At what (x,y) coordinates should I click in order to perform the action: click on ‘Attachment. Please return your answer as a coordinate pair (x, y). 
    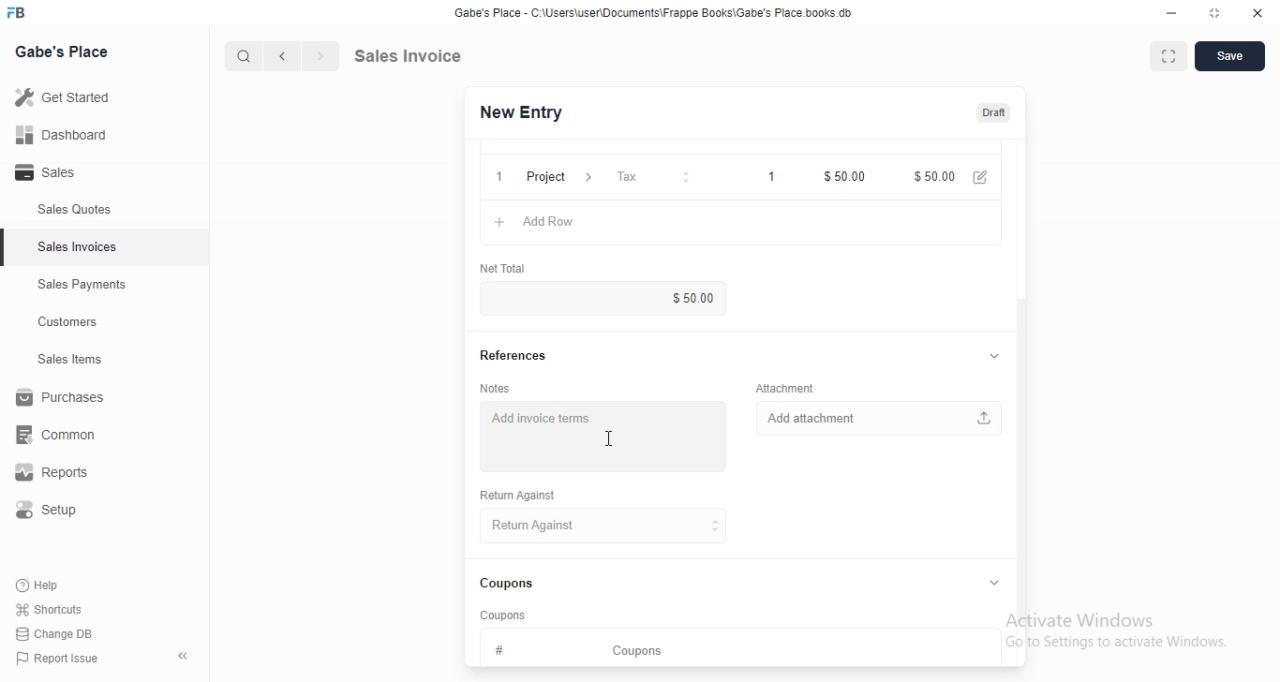
    Looking at the image, I should click on (785, 388).